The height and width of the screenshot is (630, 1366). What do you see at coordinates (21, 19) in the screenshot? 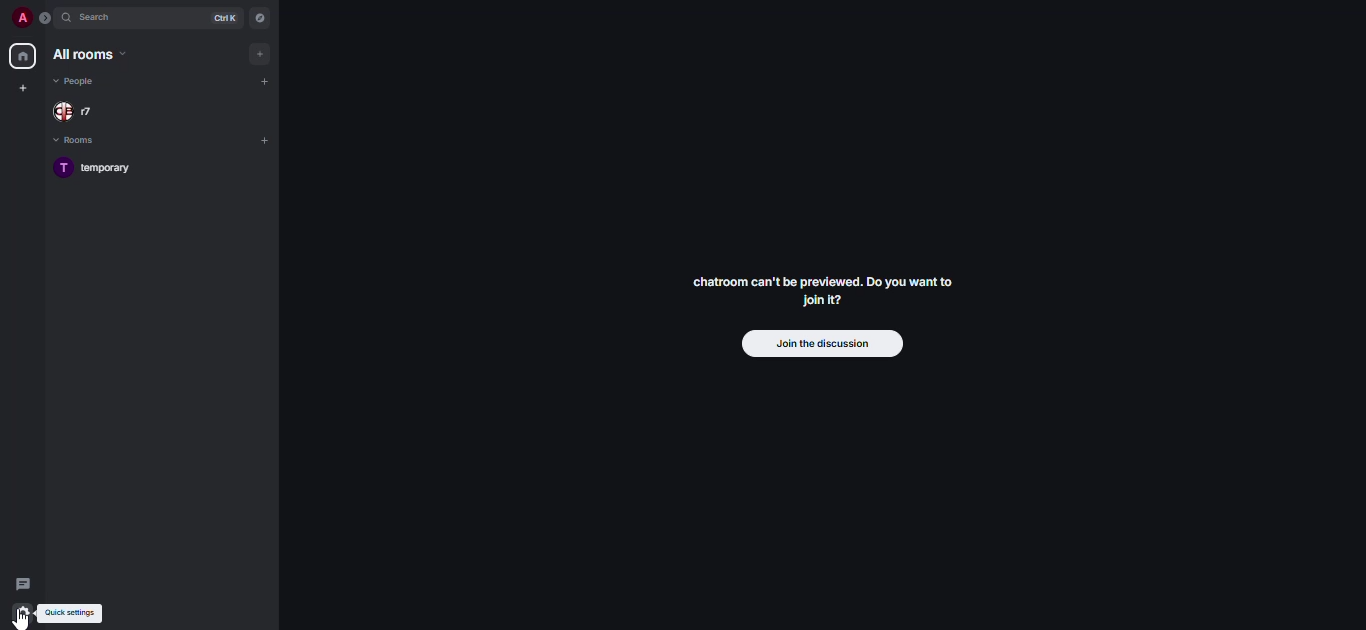
I see `profile` at bounding box center [21, 19].